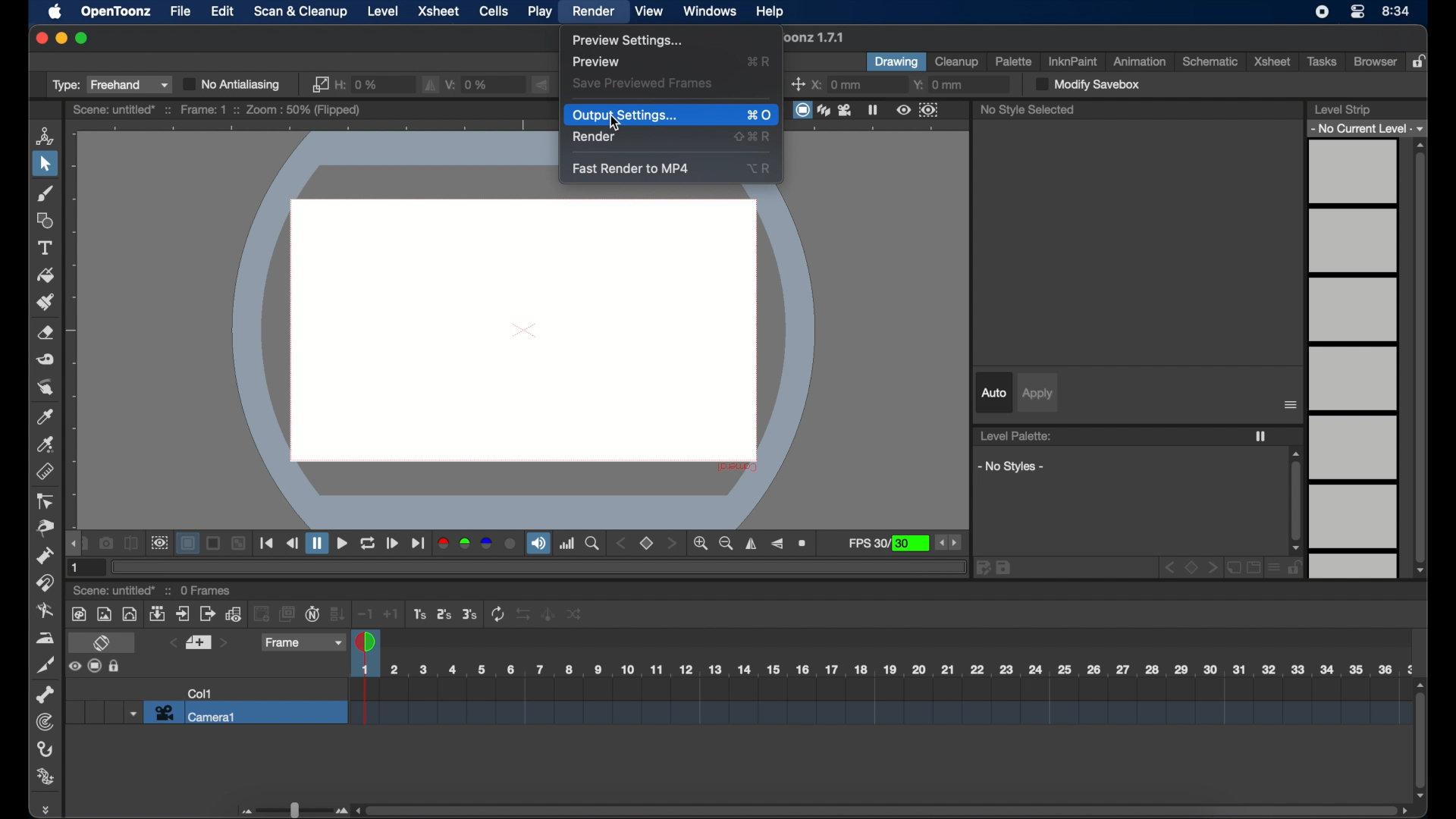 This screenshot has height=819, width=1456. Describe the element at coordinates (595, 137) in the screenshot. I see `render` at that location.